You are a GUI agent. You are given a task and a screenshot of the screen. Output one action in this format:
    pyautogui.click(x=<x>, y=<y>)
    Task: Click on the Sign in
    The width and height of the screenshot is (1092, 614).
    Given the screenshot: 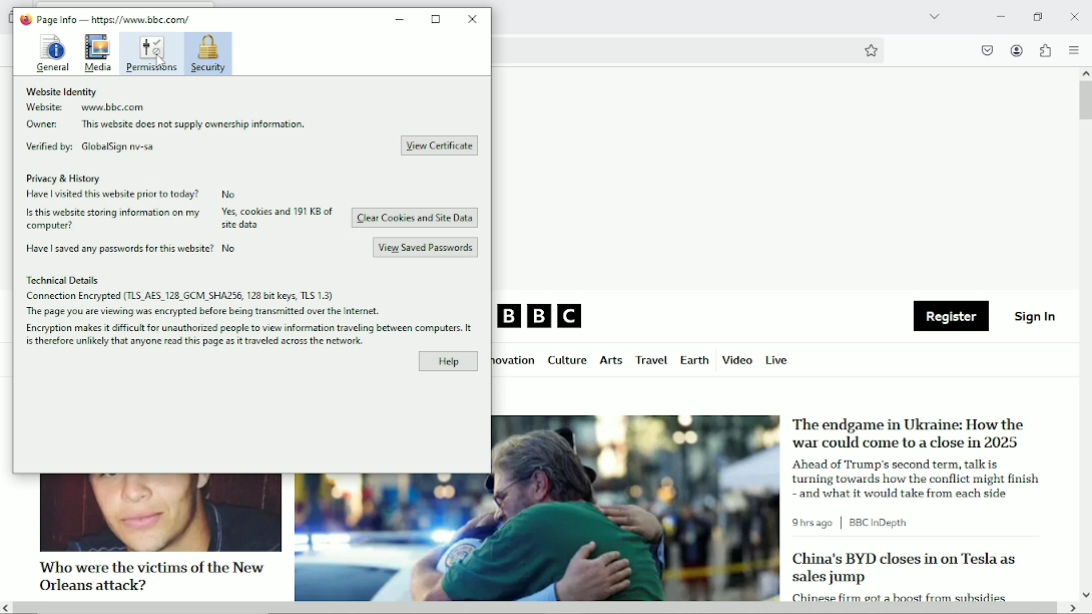 What is the action you would take?
    pyautogui.click(x=1036, y=315)
    